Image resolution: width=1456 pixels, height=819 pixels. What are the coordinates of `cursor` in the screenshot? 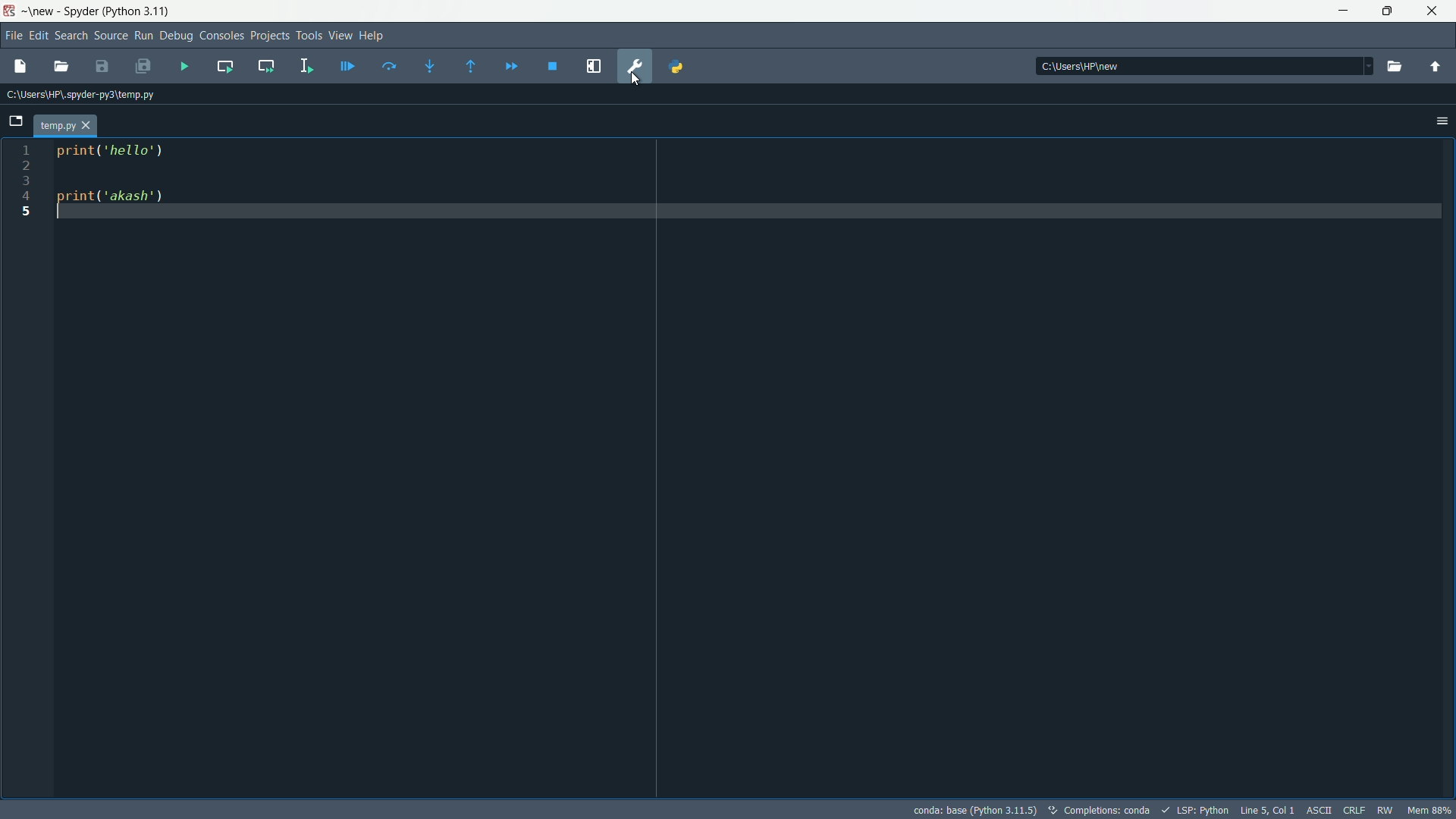 It's located at (638, 88).